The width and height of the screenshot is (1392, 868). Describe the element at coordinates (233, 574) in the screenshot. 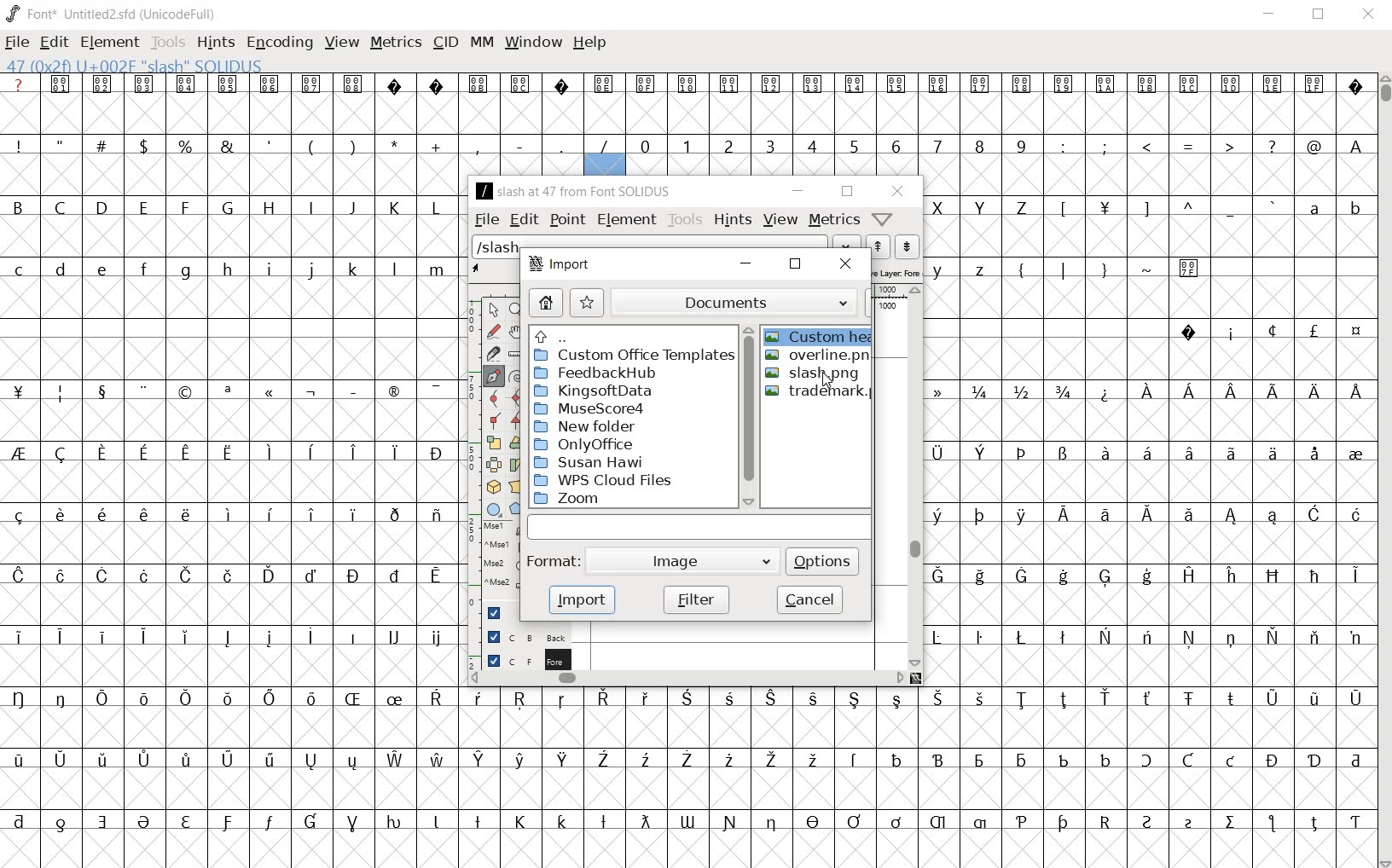

I see `special letters` at that location.